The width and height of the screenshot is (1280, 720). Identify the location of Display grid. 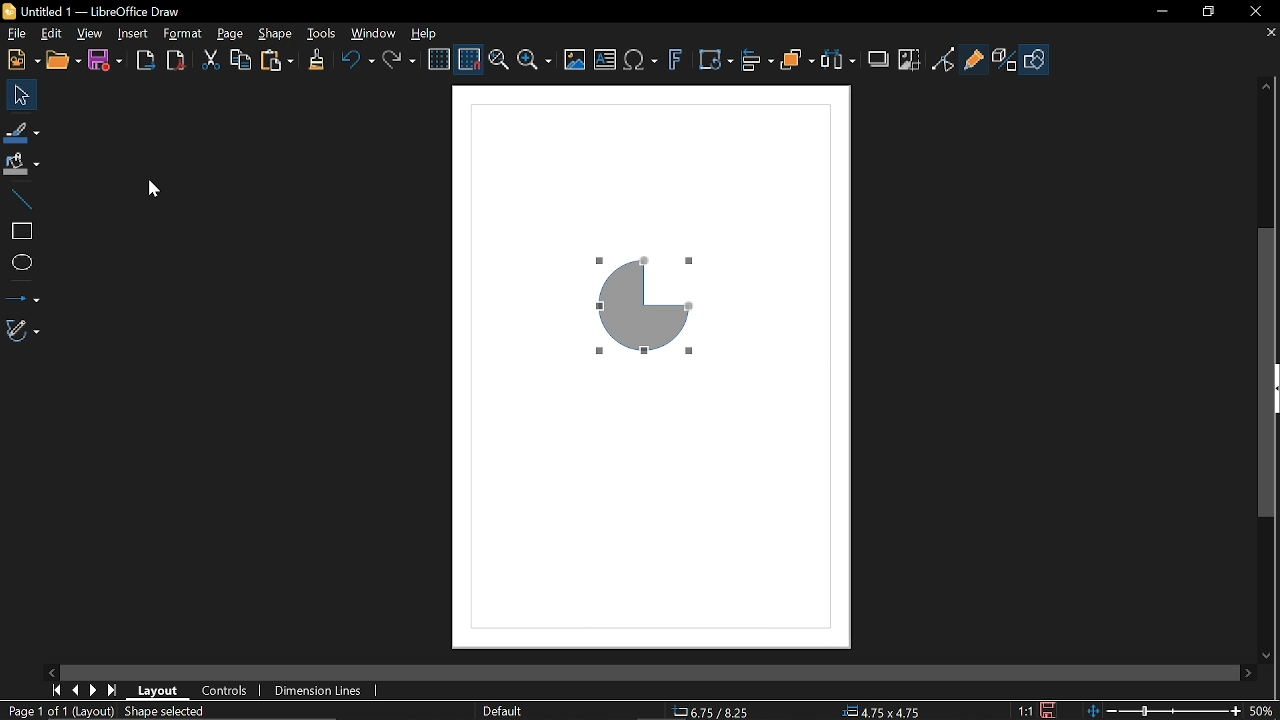
(440, 62).